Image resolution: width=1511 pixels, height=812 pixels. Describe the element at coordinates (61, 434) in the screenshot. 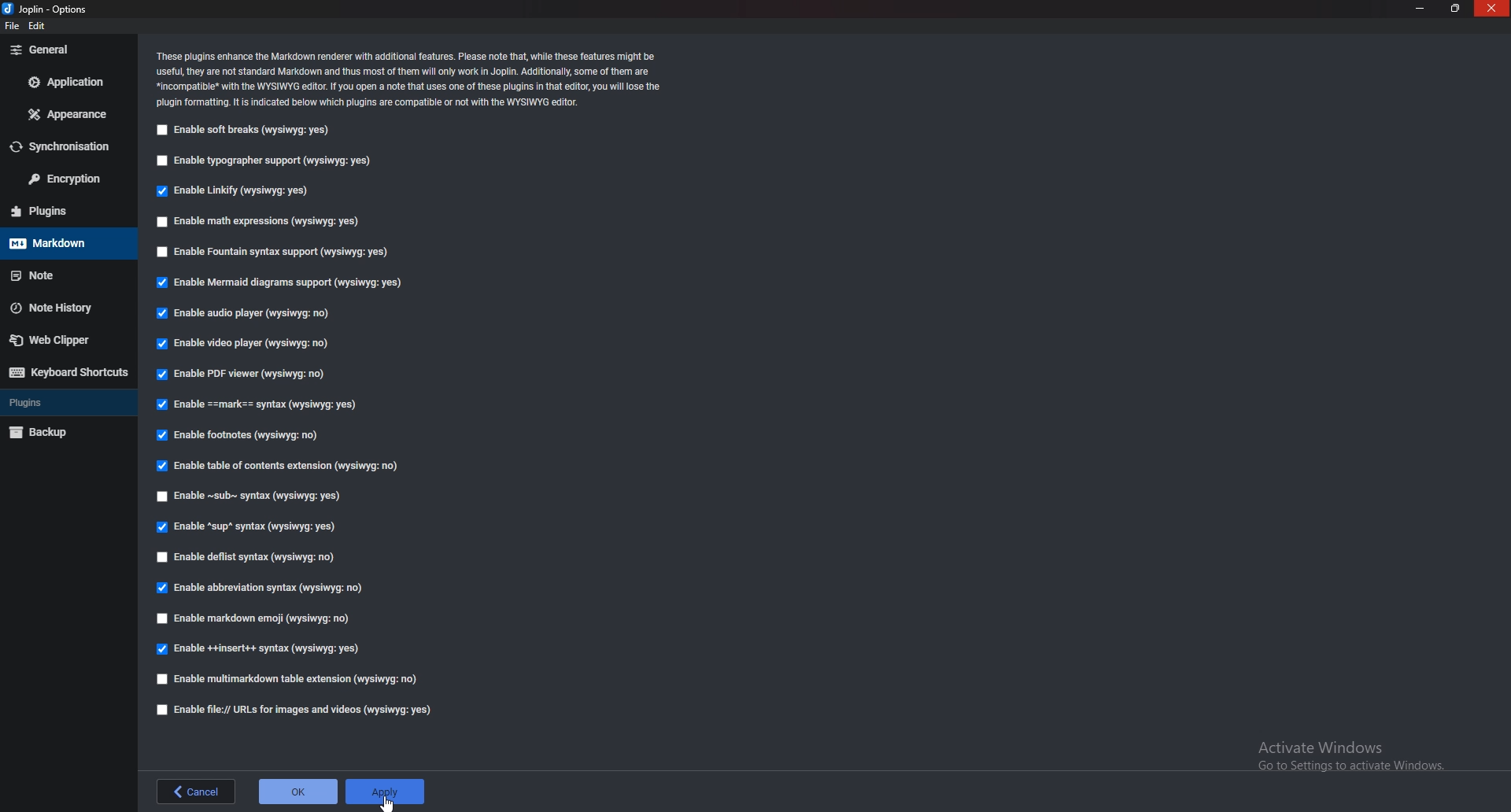

I see `Back up` at that location.